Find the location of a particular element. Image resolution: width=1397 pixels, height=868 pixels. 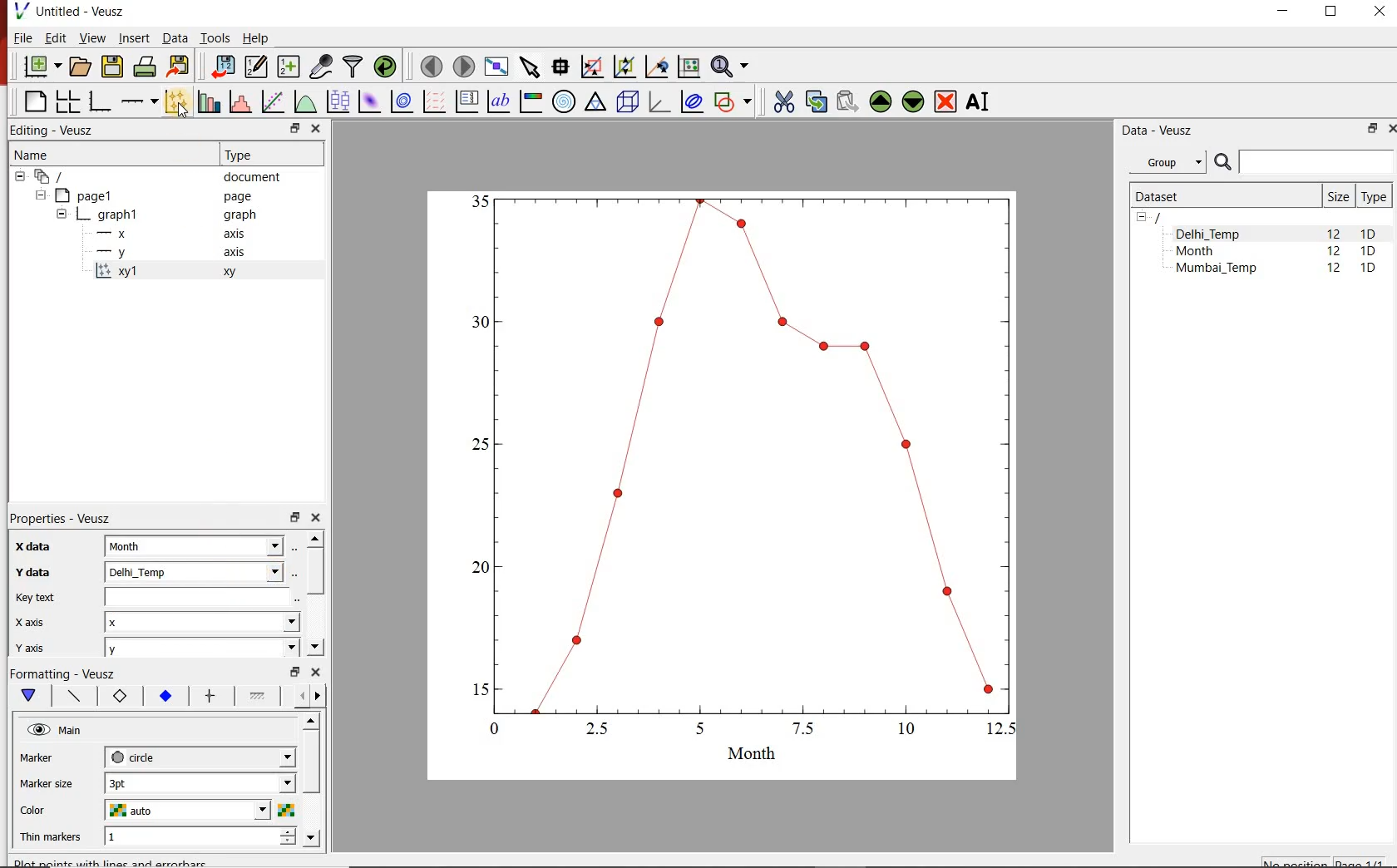

Data is located at coordinates (174, 37).